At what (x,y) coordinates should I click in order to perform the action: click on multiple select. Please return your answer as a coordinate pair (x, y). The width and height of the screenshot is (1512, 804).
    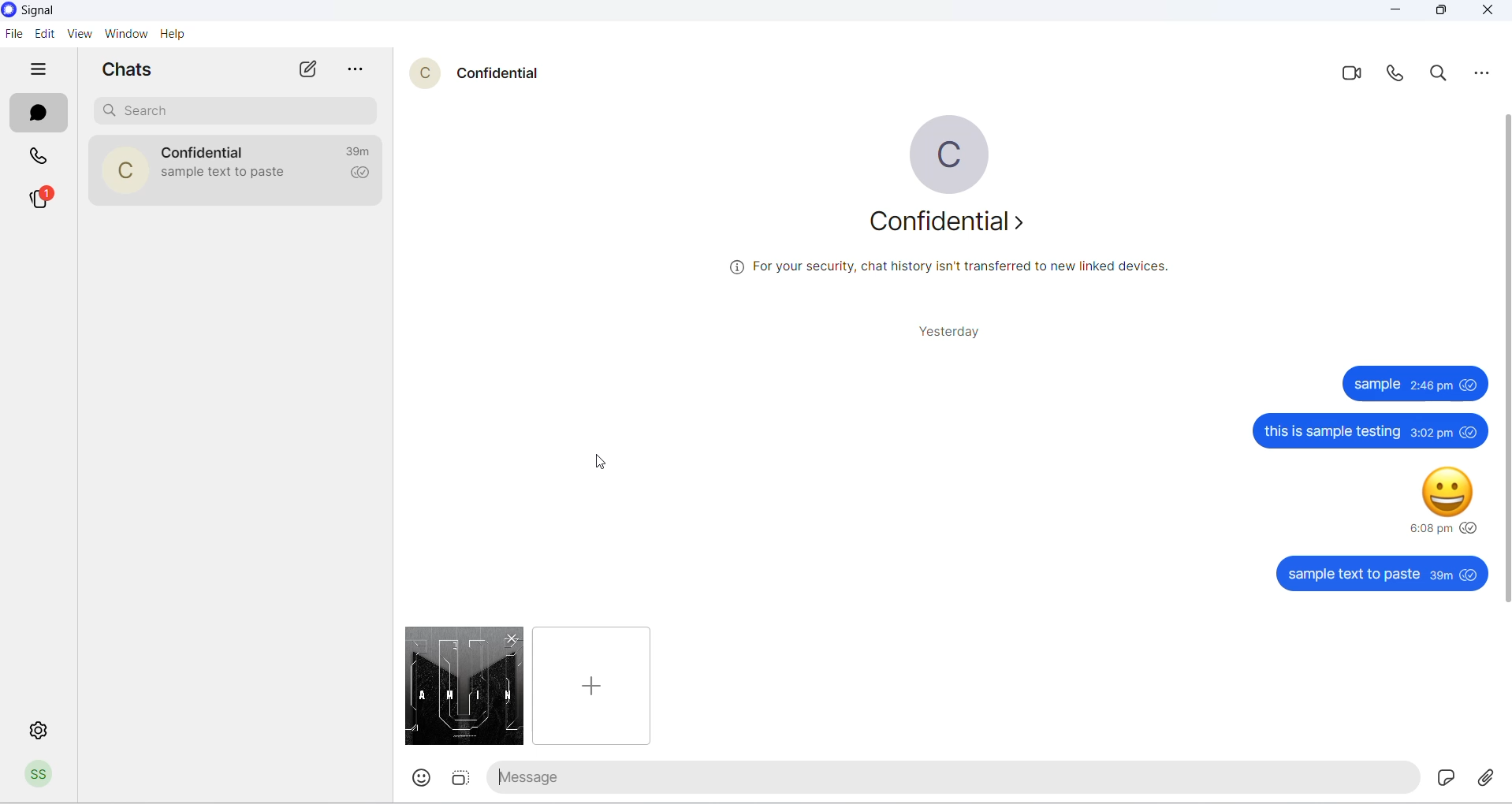
    Looking at the image, I should click on (463, 782).